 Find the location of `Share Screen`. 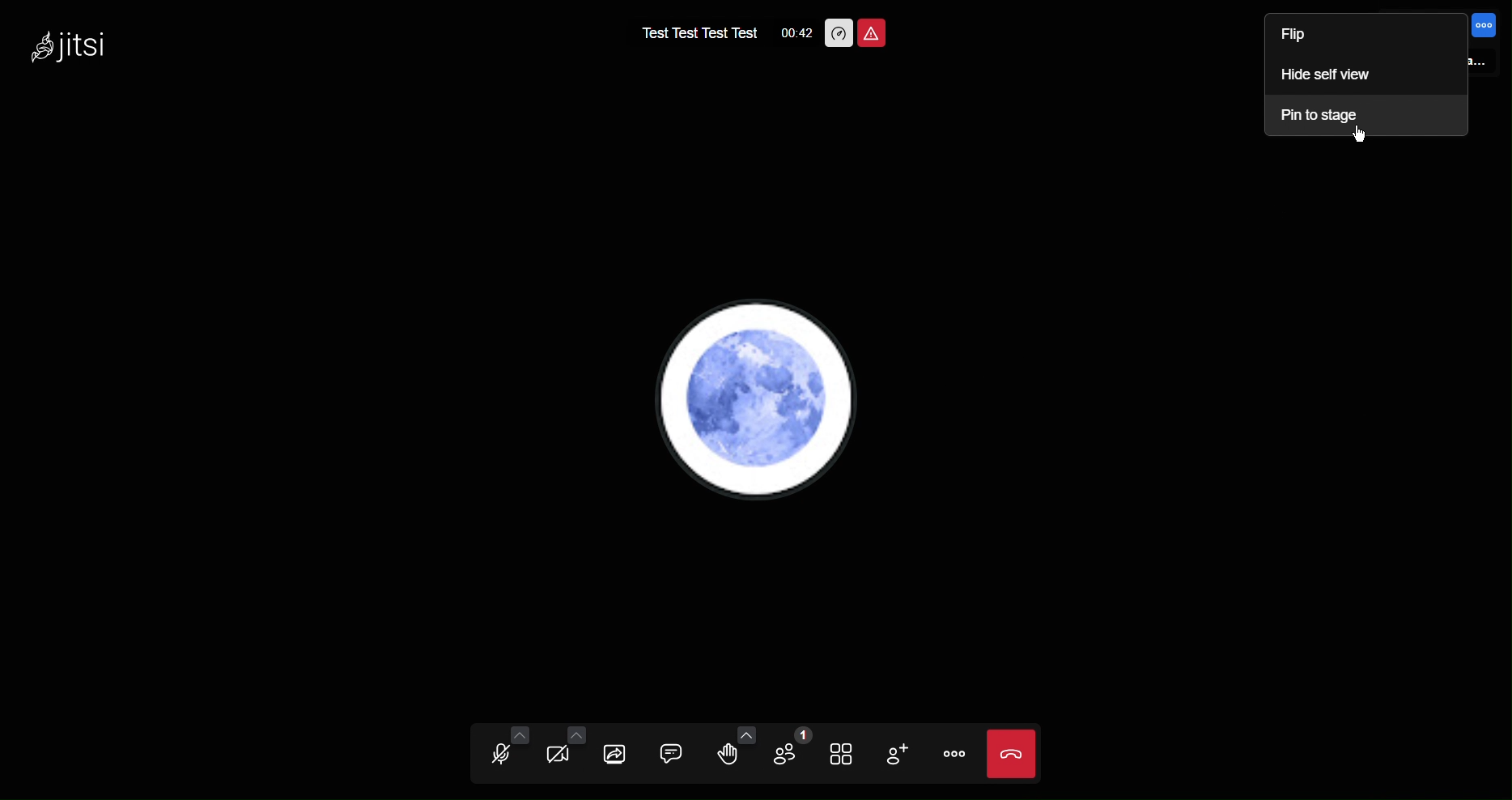

Share Screen is located at coordinates (617, 753).